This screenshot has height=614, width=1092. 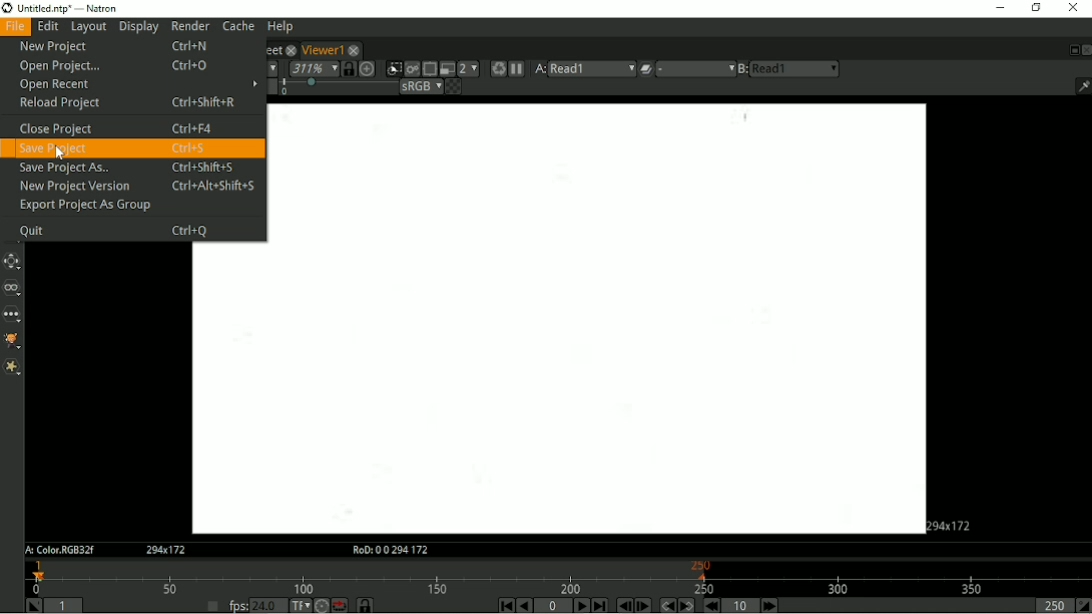 I want to click on Close, so click(x=1086, y=50).